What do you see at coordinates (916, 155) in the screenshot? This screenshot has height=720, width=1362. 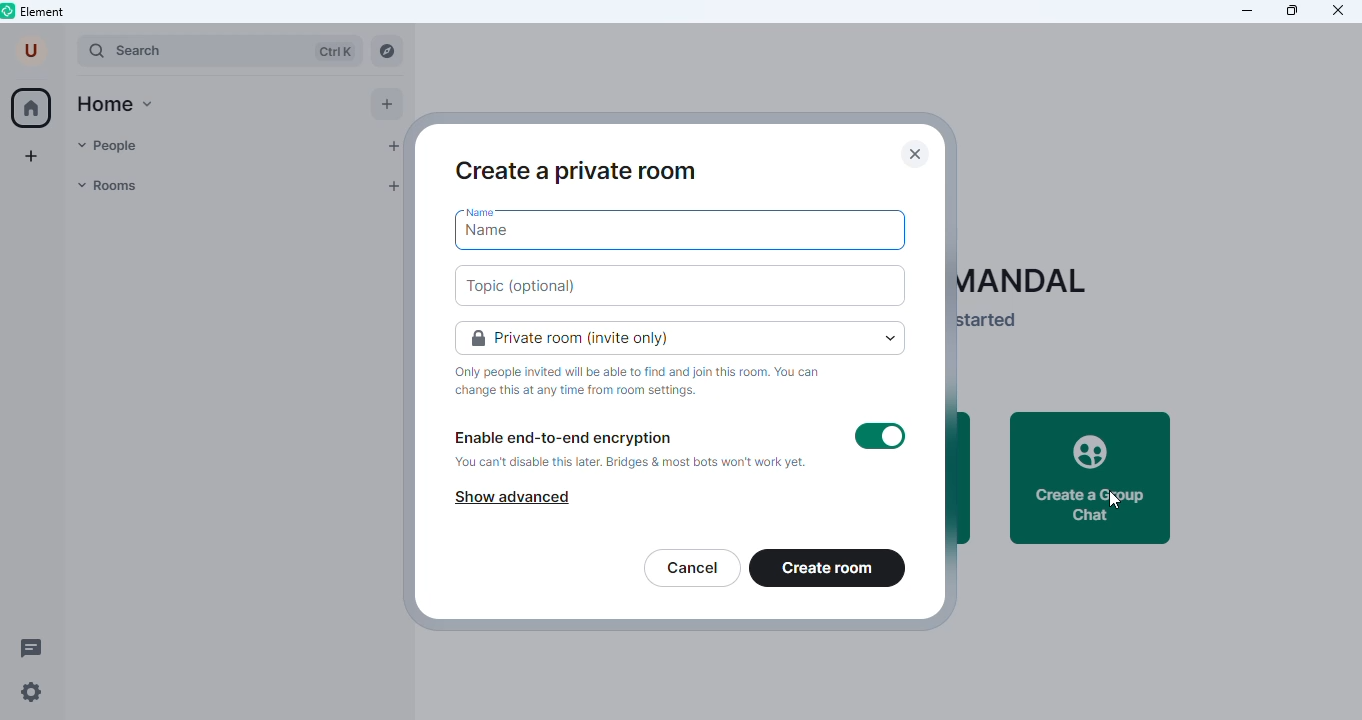 I see `close` at bounding box center [916, 155].